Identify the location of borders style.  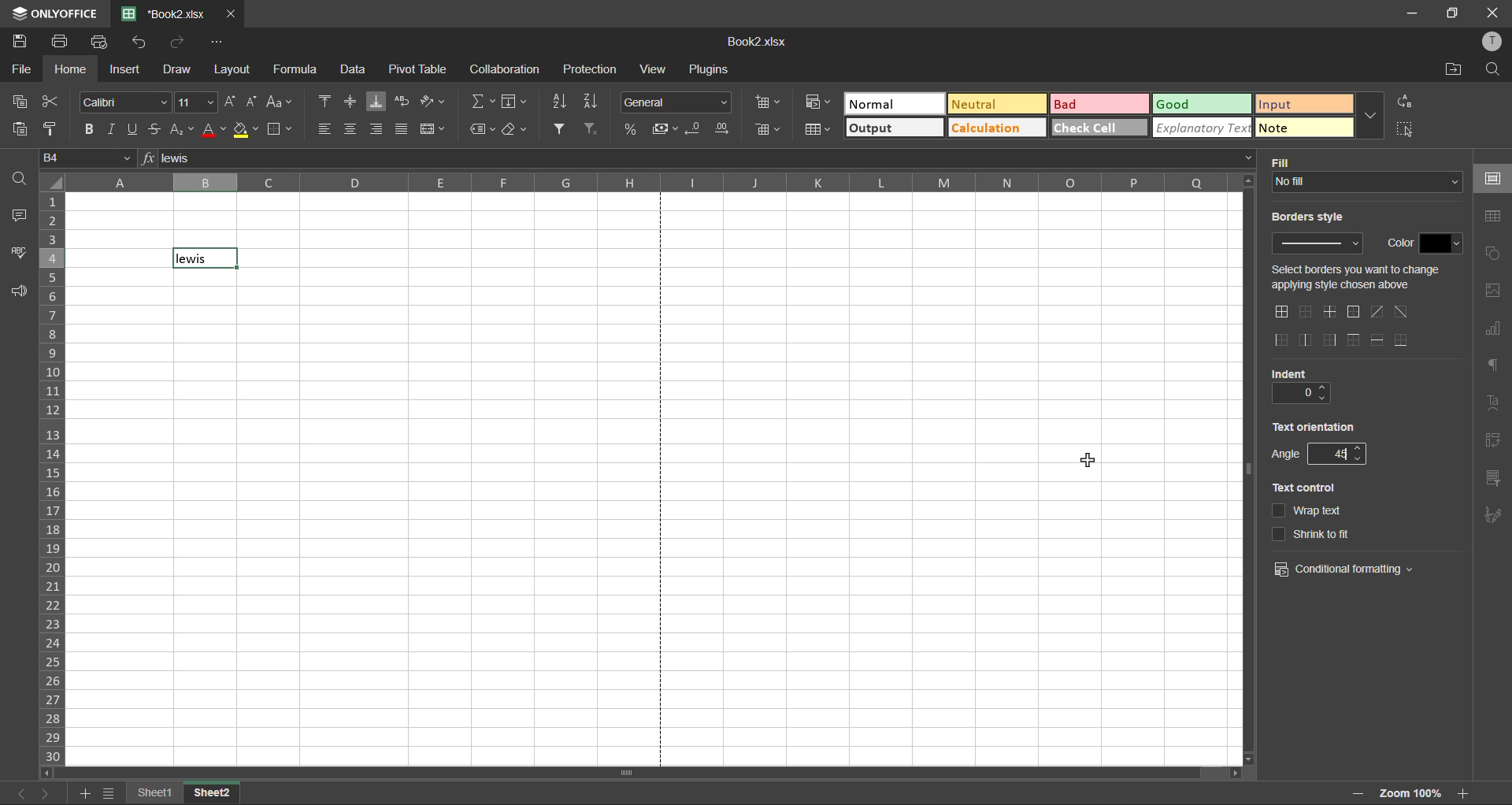
(1313, 217).